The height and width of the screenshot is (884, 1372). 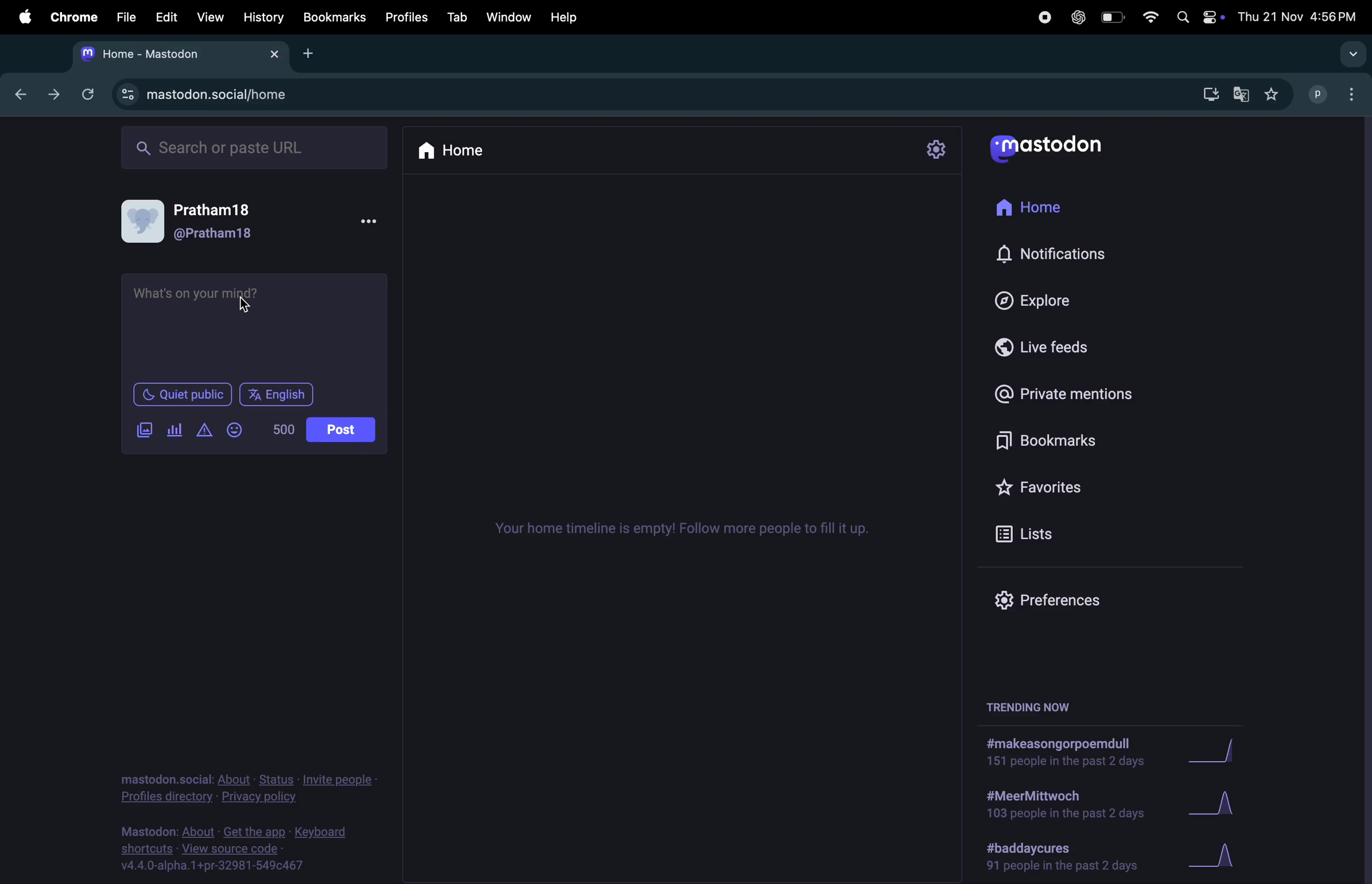 What do you see at coordinates (1052, 203) in the screenshot?
I see `home` at bounding box center [1052, 203].